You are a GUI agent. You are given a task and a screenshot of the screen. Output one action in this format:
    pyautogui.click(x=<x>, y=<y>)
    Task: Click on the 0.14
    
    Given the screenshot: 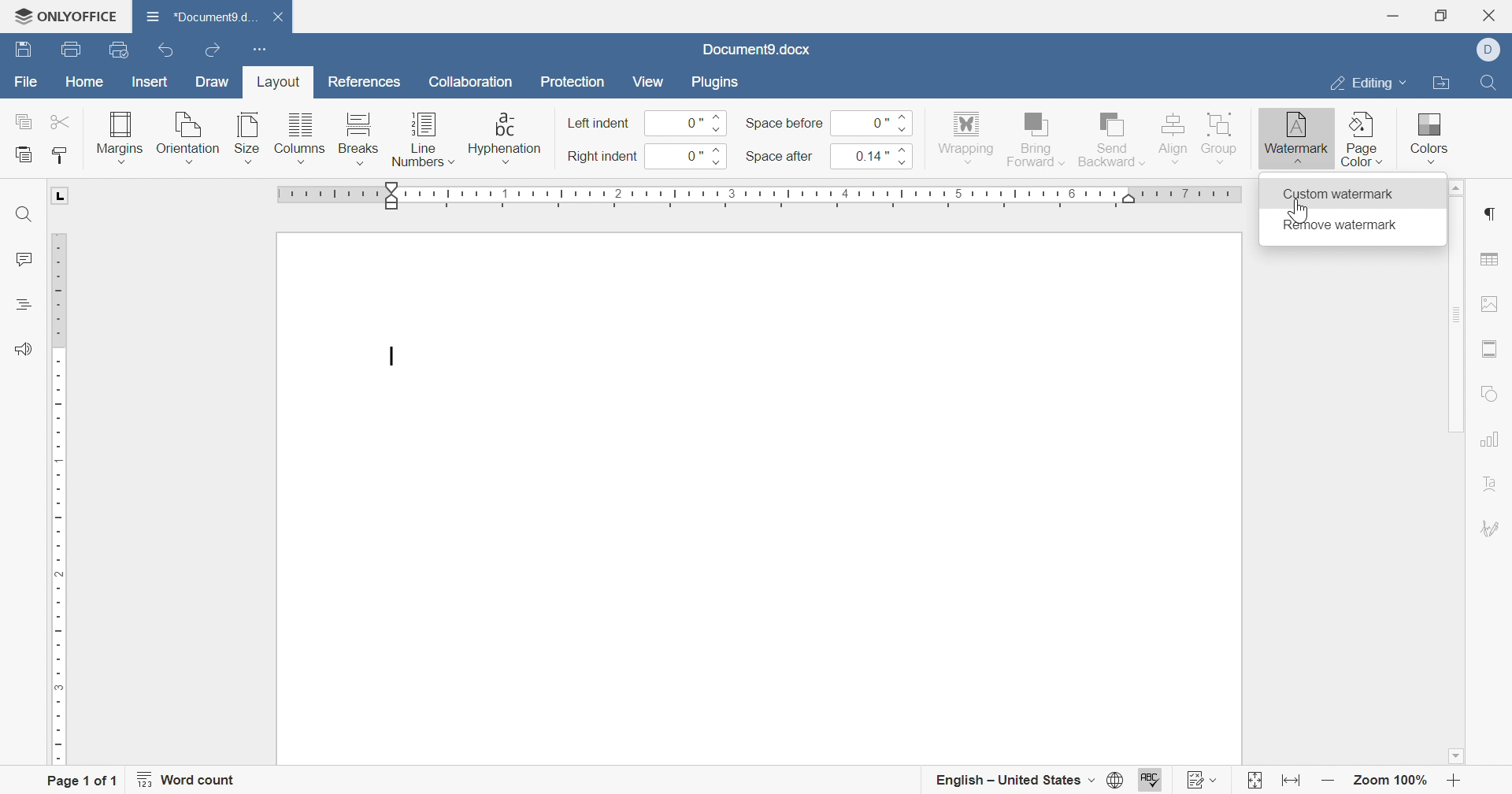 What is the action you would take?
    pyautogui.click(x=869, y=155)
    